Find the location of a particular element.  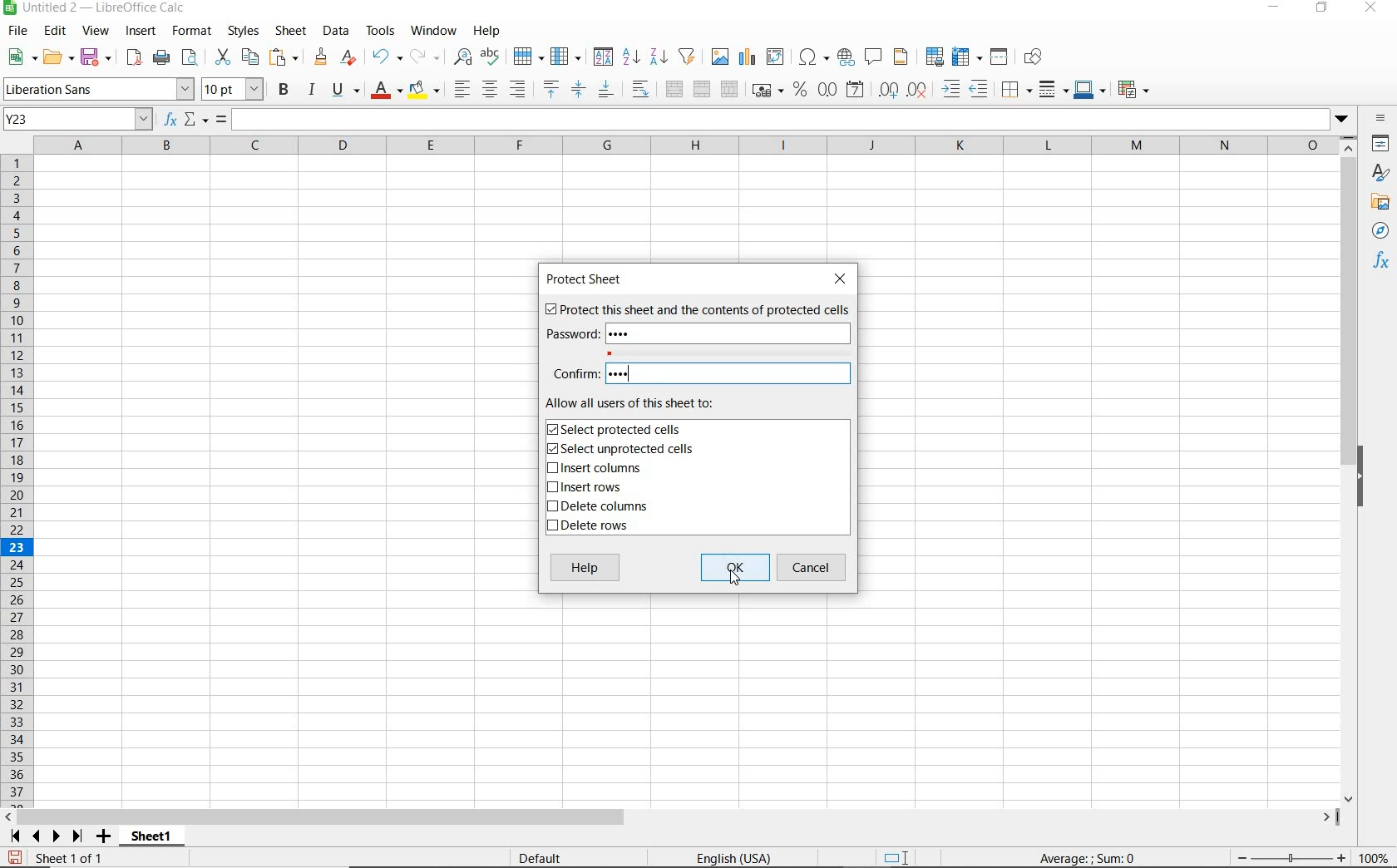

sheet 1 is located at coordinates (150, 834).